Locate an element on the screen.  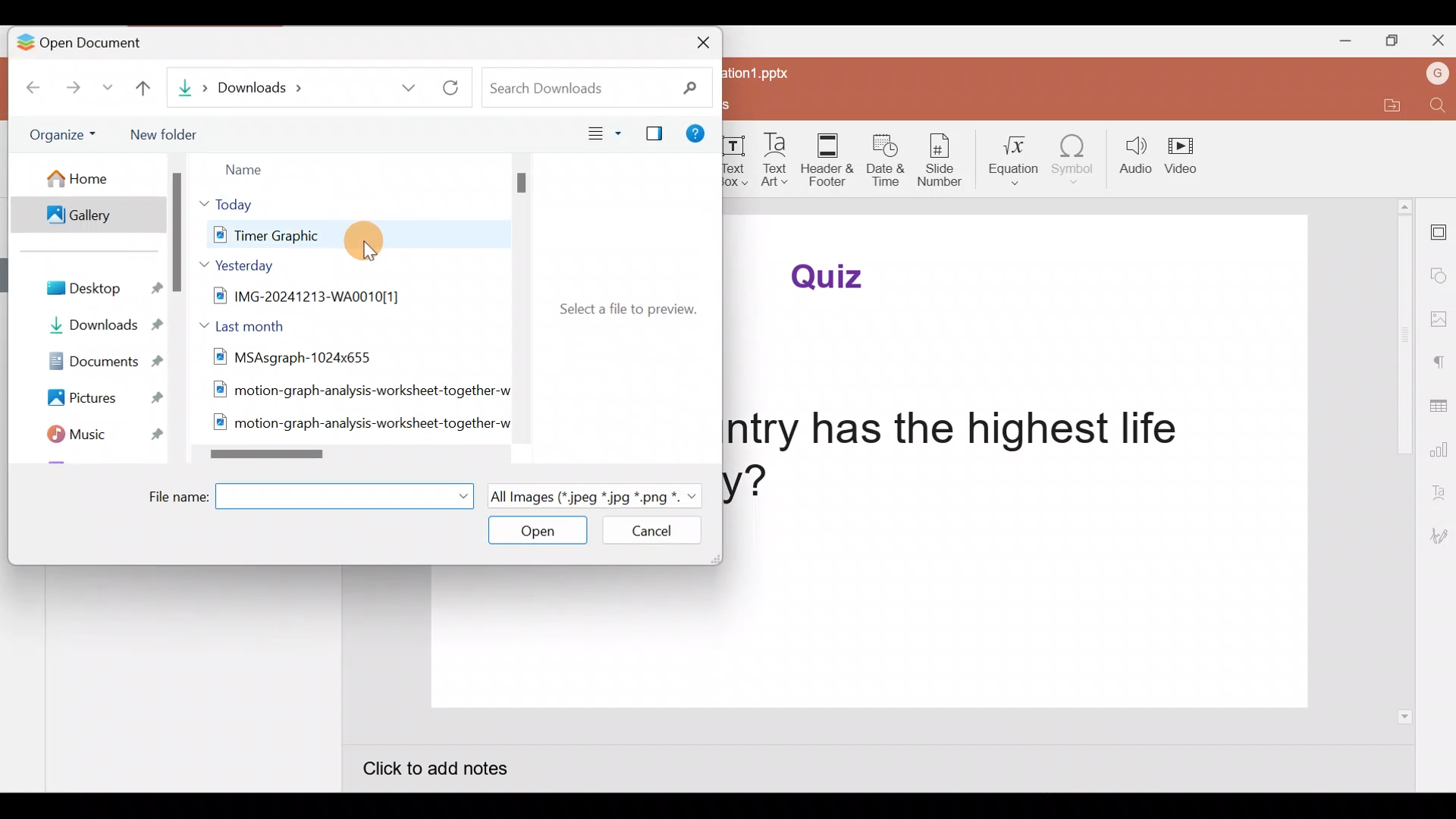
Find is located at coordinates (1435, 108).